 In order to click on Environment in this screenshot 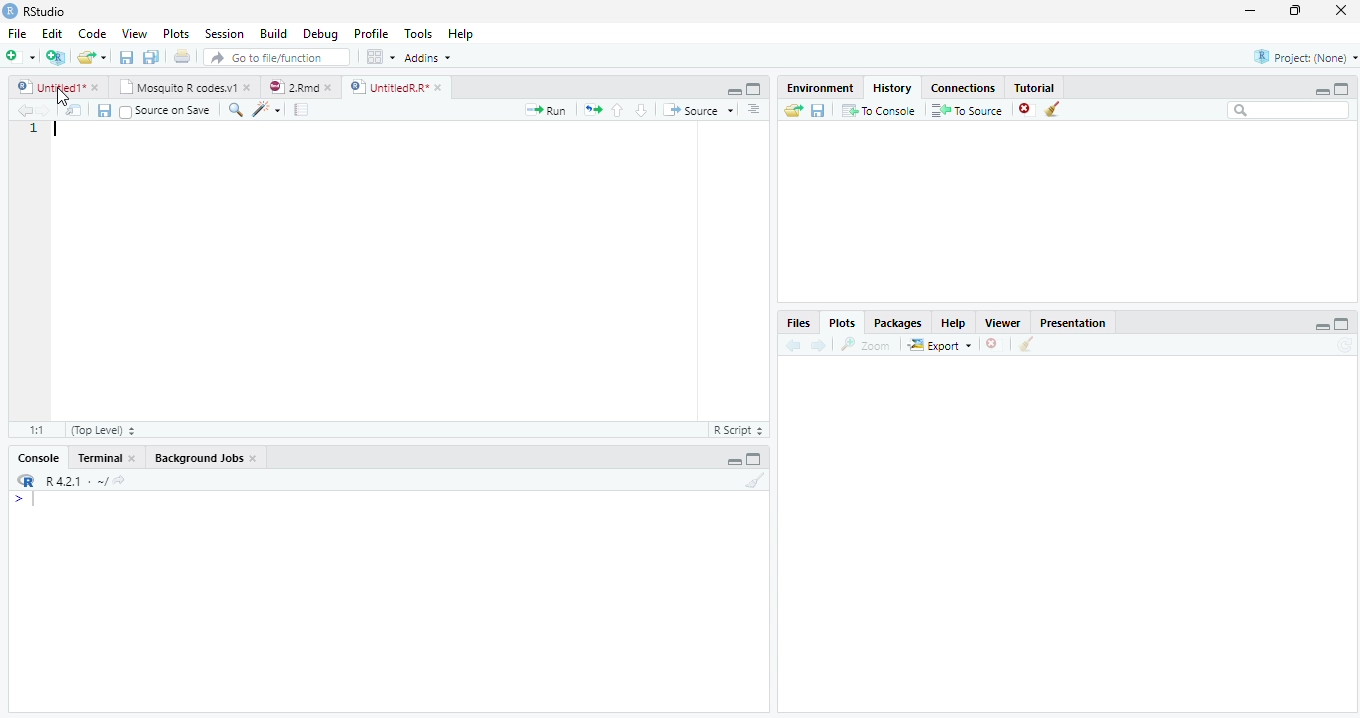, I will do `click(818, 88)`.